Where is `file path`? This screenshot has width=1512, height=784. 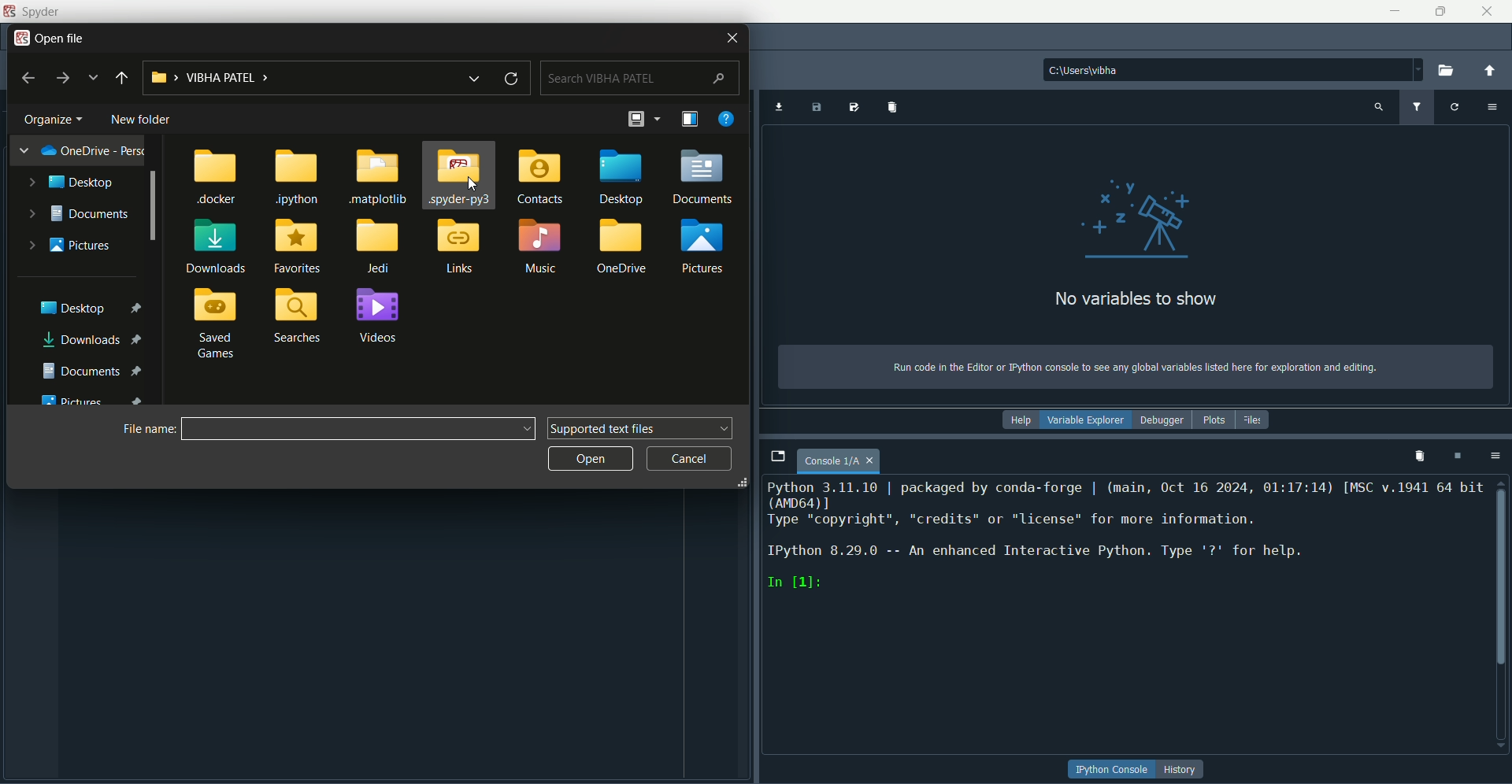
file path is located at coordinates (1232, 69).